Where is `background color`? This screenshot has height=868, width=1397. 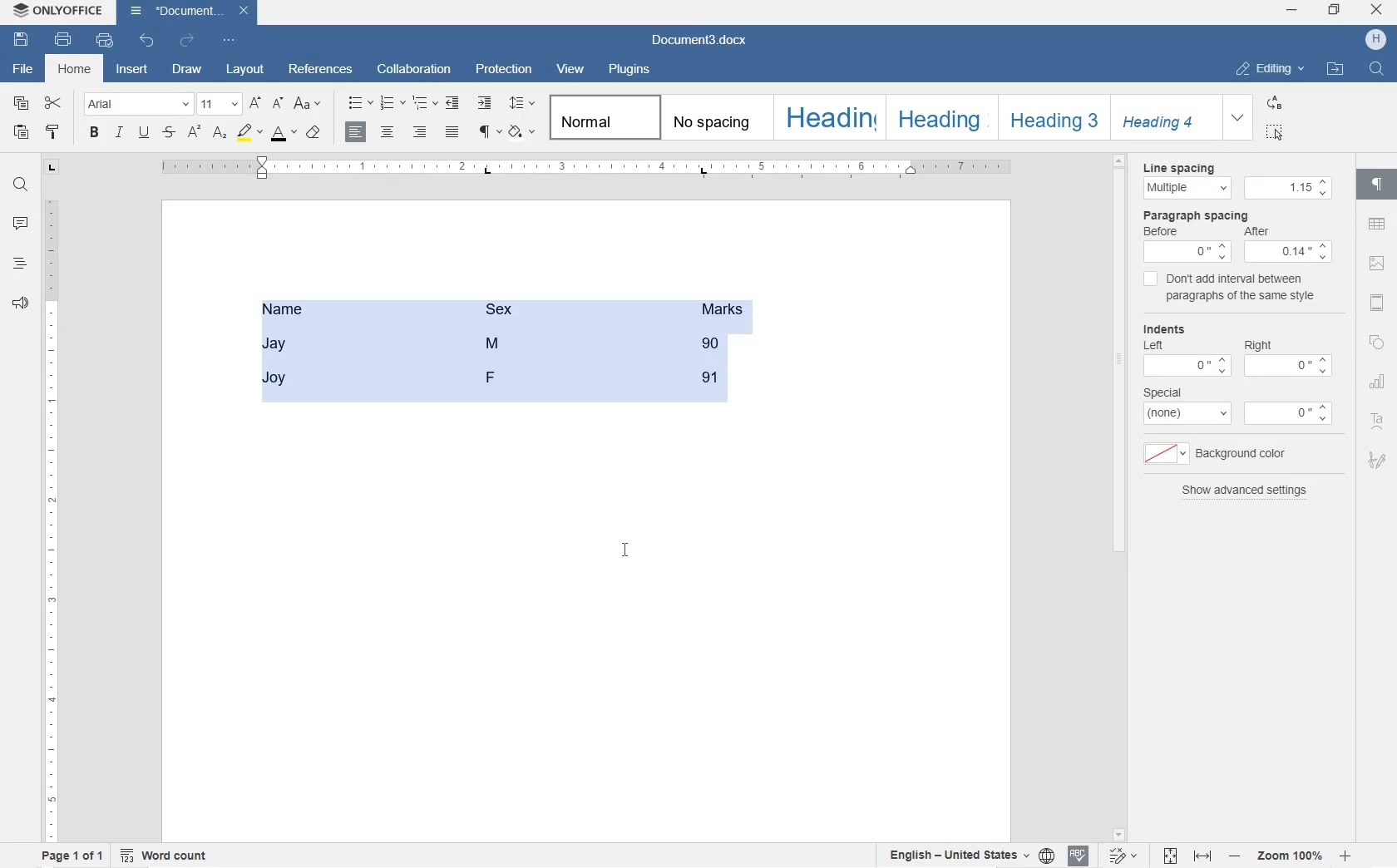
background color is located at coordinates (1233, 456).